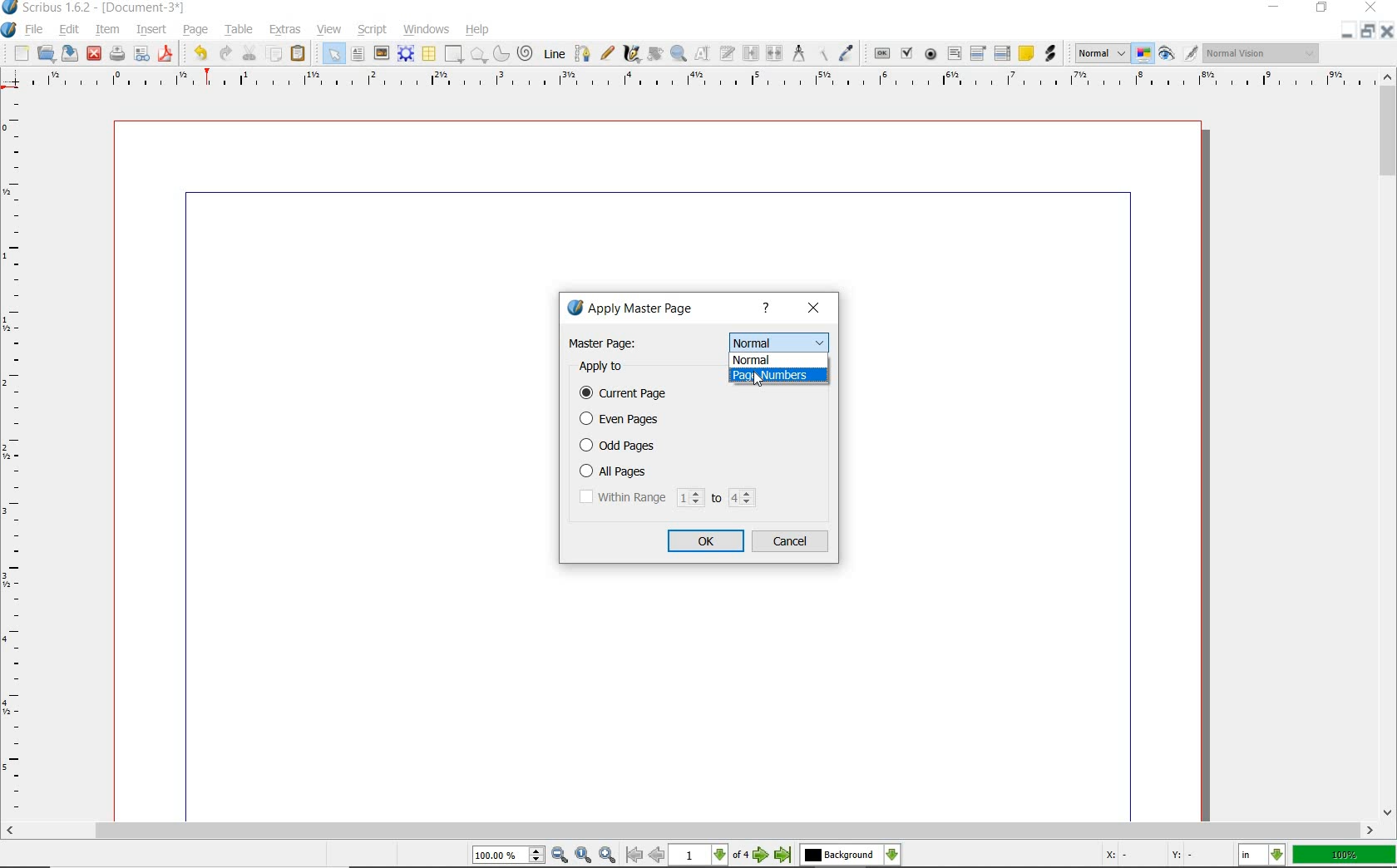 This screenshot has height=868, width=1397. Describe the element at coordinates (559, 855) in the screenshot. I see `Zoom Out` at that location.